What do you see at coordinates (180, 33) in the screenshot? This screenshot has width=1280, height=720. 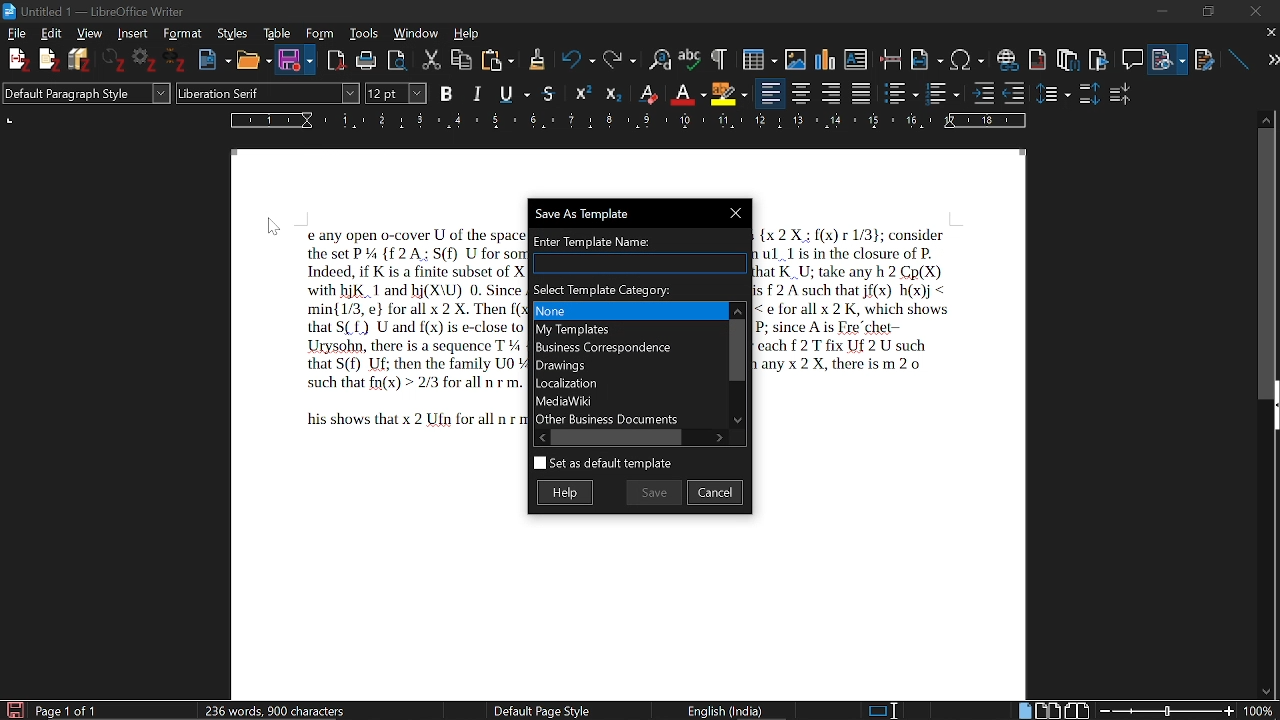 I see `Format` at bounding box center [180, 33].